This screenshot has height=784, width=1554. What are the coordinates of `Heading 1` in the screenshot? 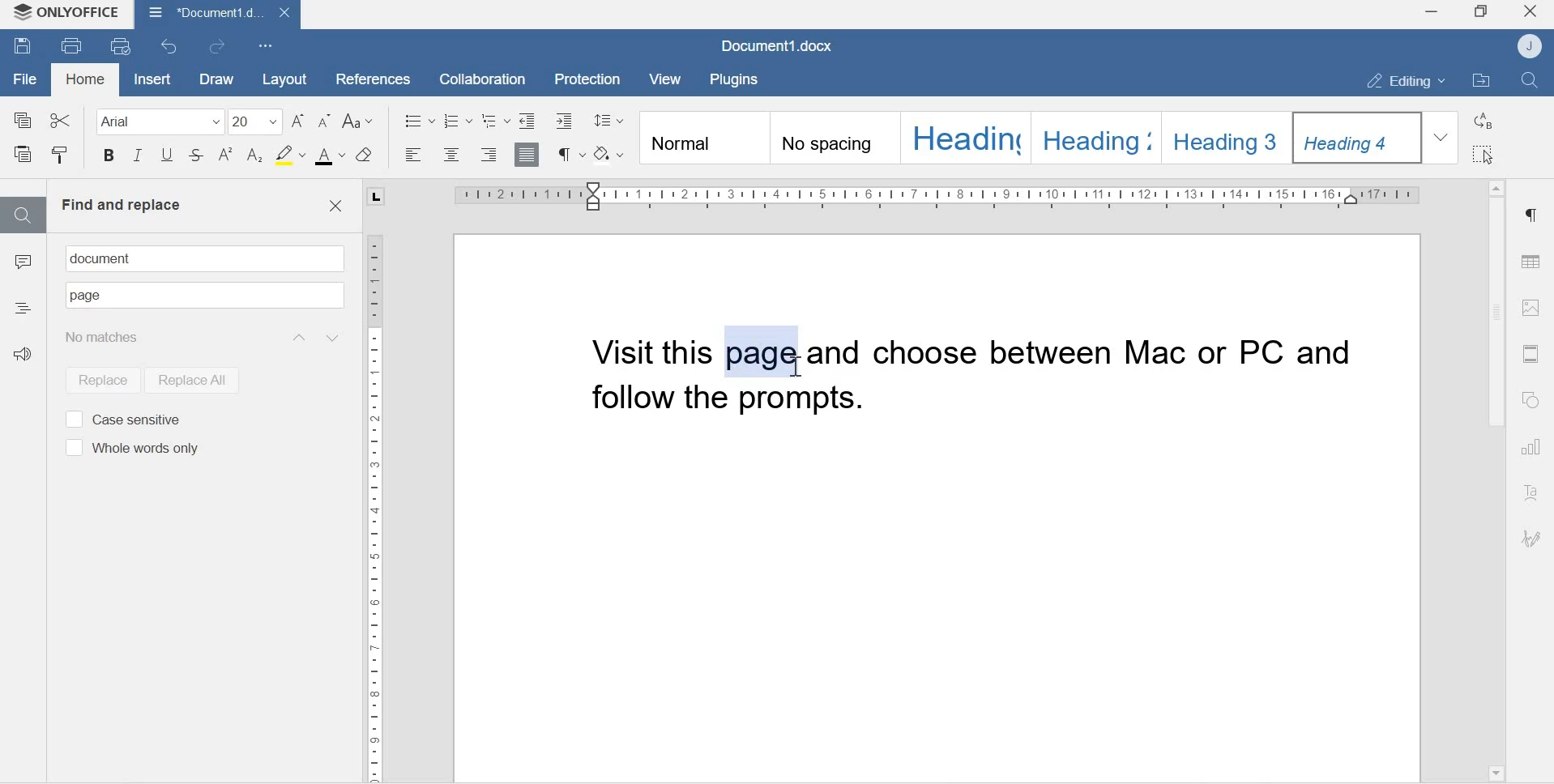 It's located at (965, 137).